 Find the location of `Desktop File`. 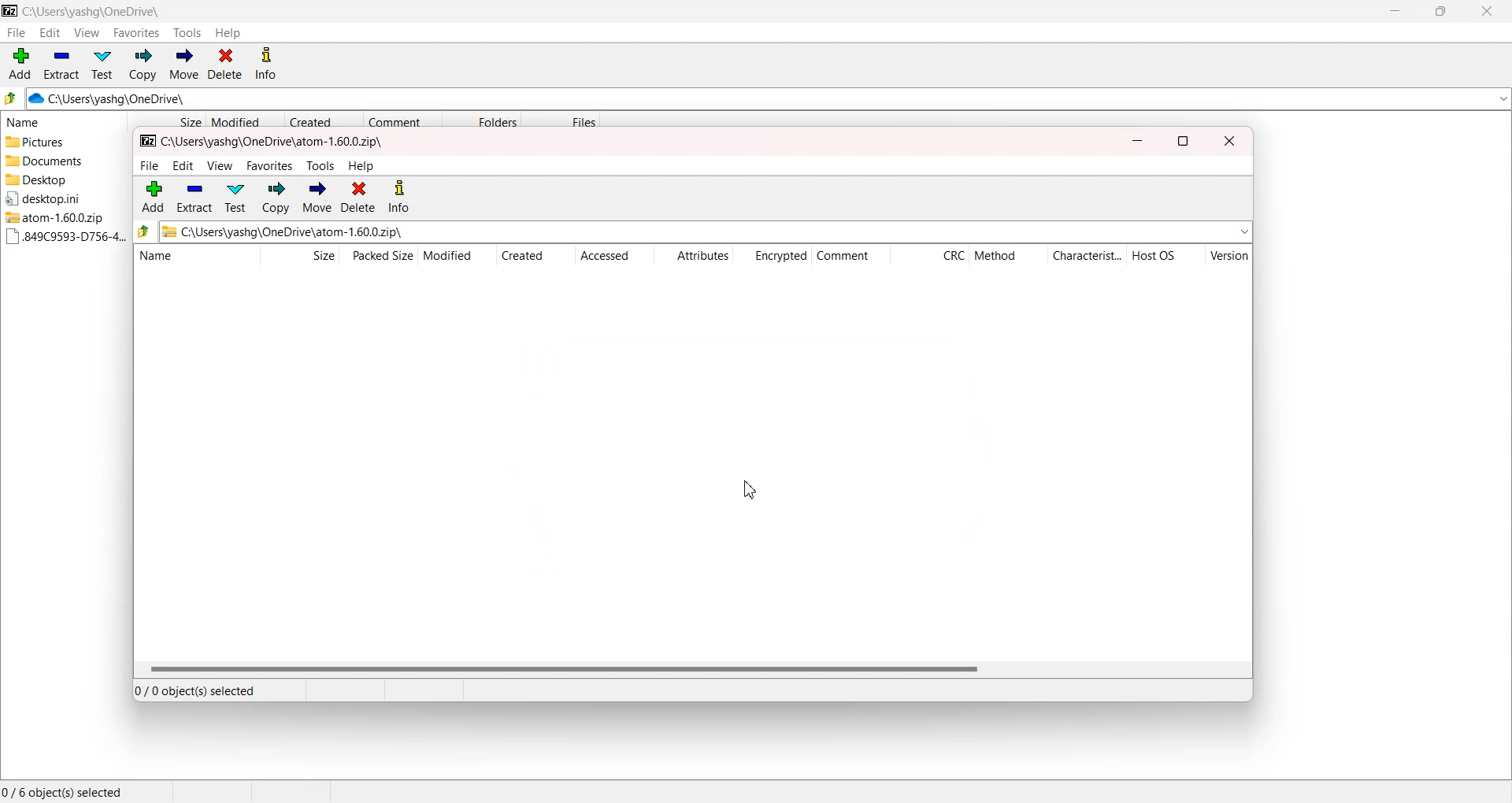

Desktop File is located at coordinates (58, 198).